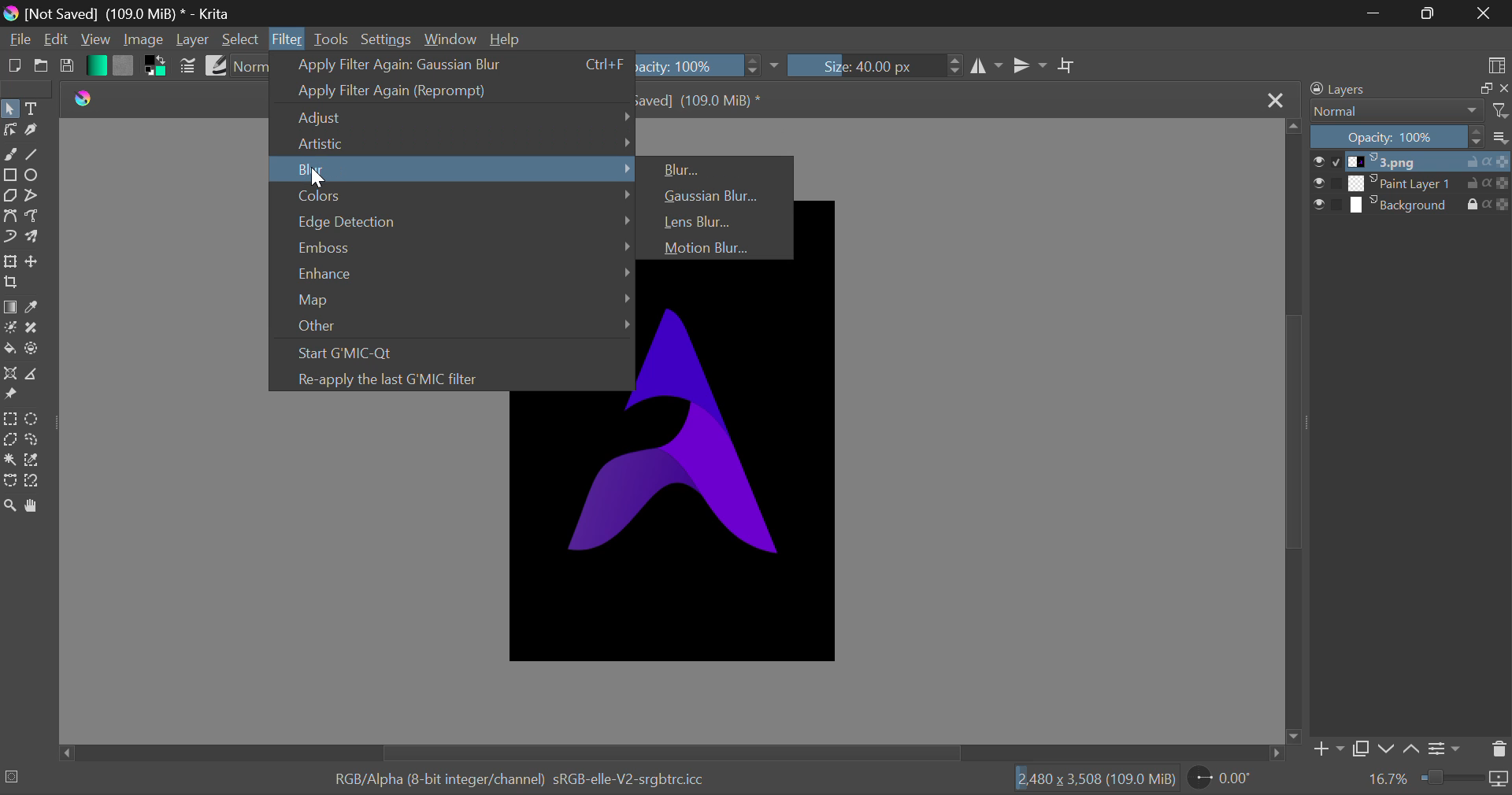 This screenshot has height=795, width=1512. Describe the element at coordinates (9, 215) in the screenshot. I see `Bezier Curve` at that location.